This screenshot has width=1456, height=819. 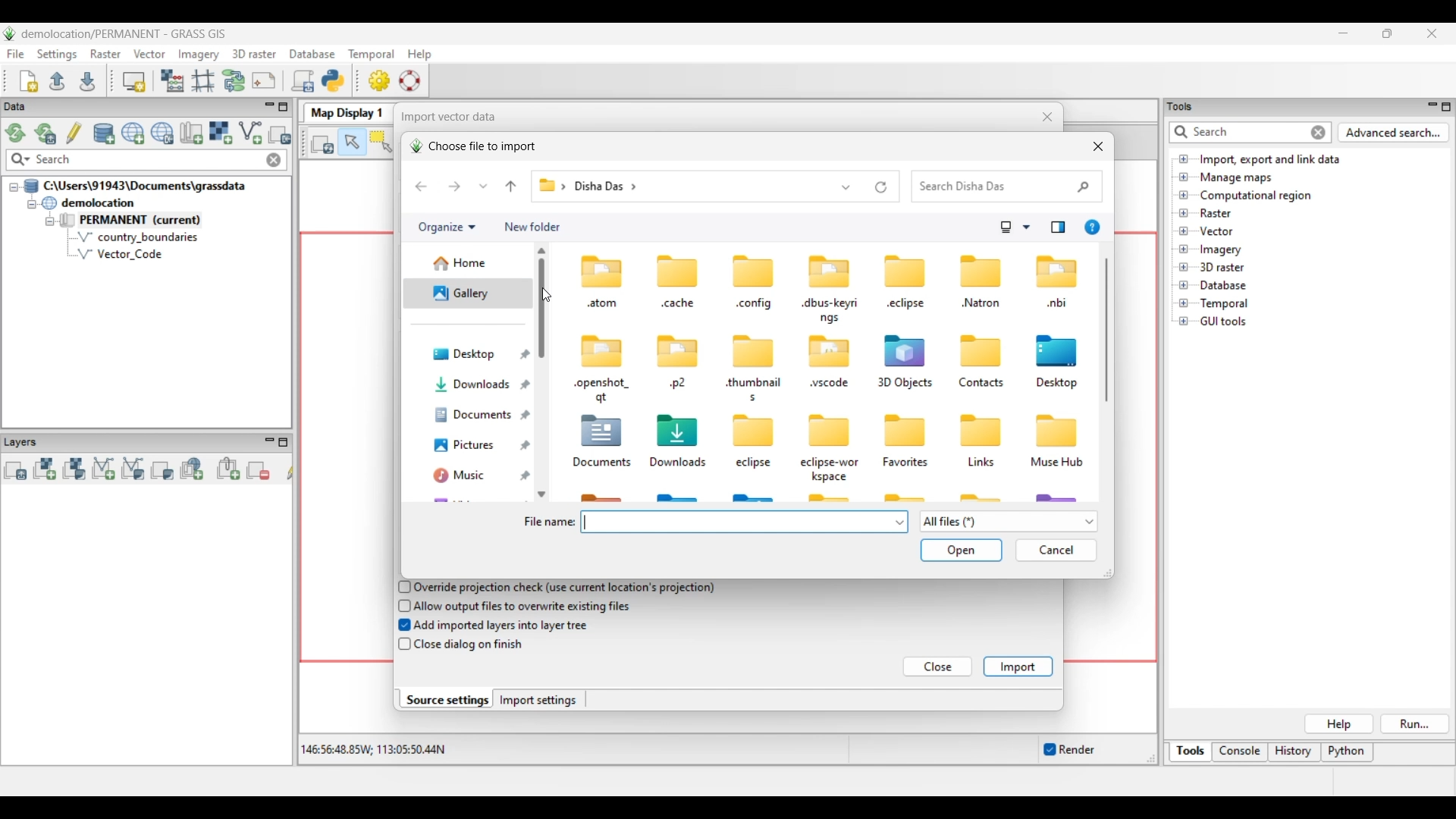 I want to click on 3D Objects, so click(x=904, y=384).